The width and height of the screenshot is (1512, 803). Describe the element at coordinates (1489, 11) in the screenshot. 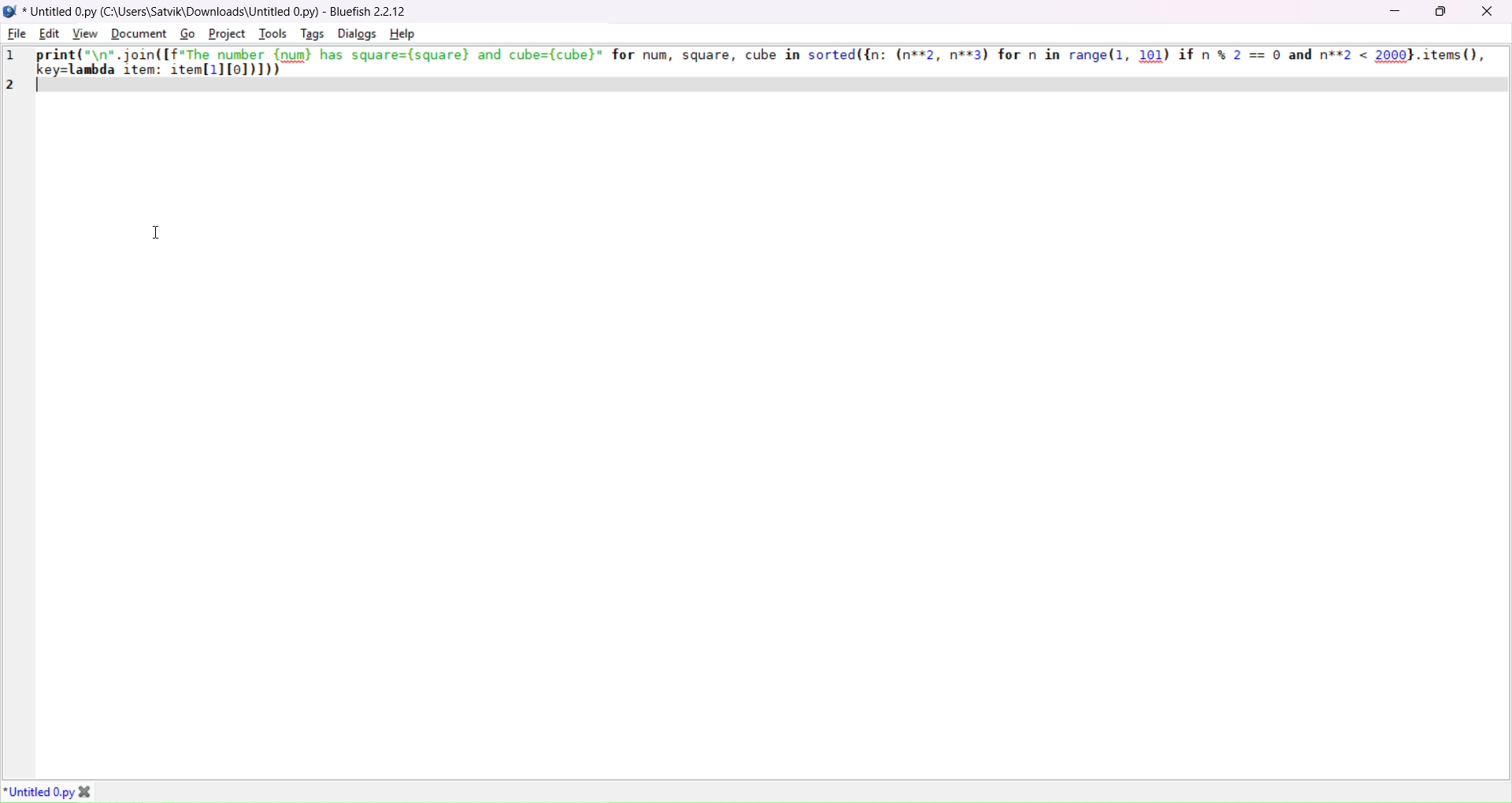

I see `close` at that location.